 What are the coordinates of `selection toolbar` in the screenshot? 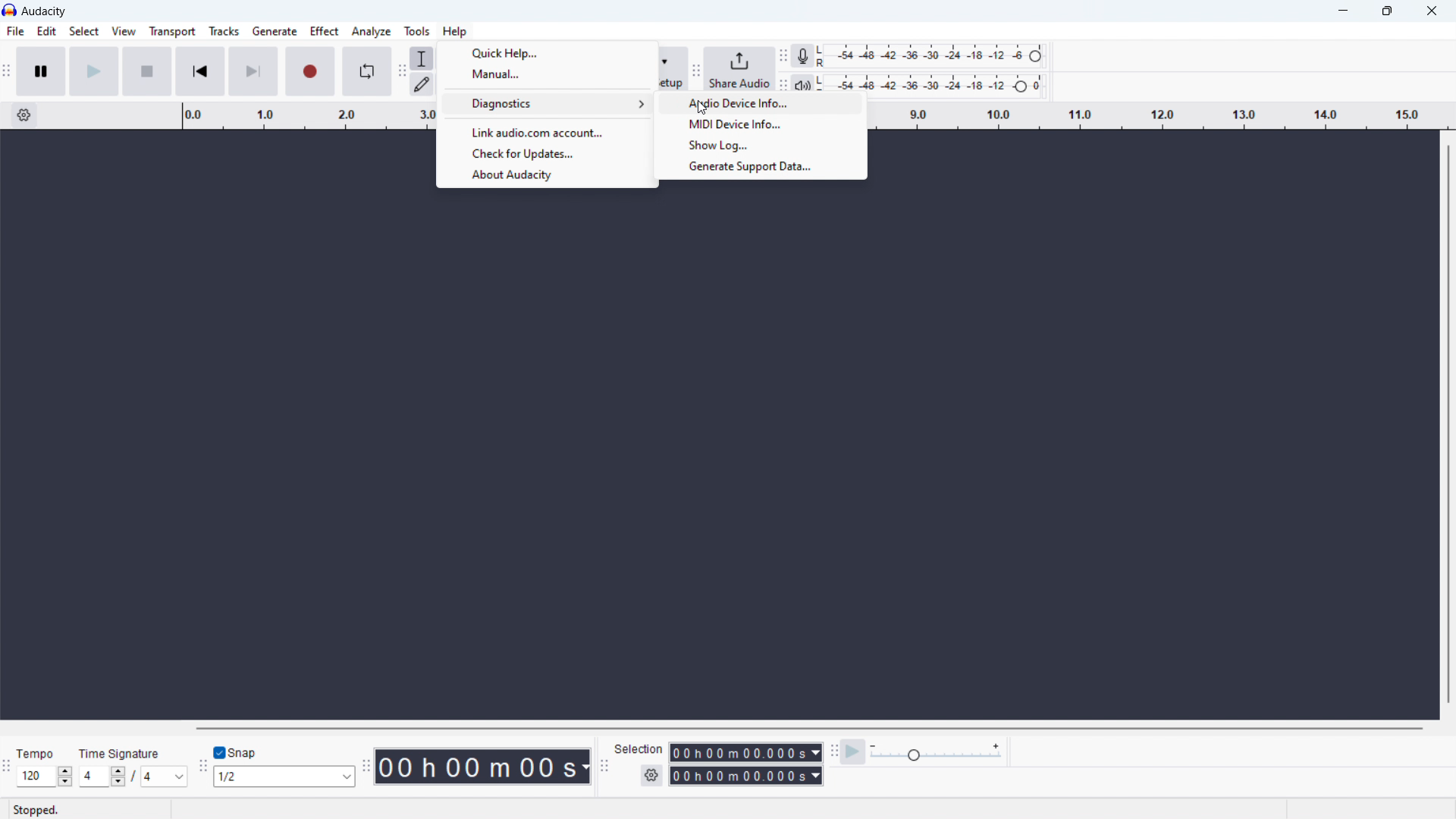 It's located at (606, 766).